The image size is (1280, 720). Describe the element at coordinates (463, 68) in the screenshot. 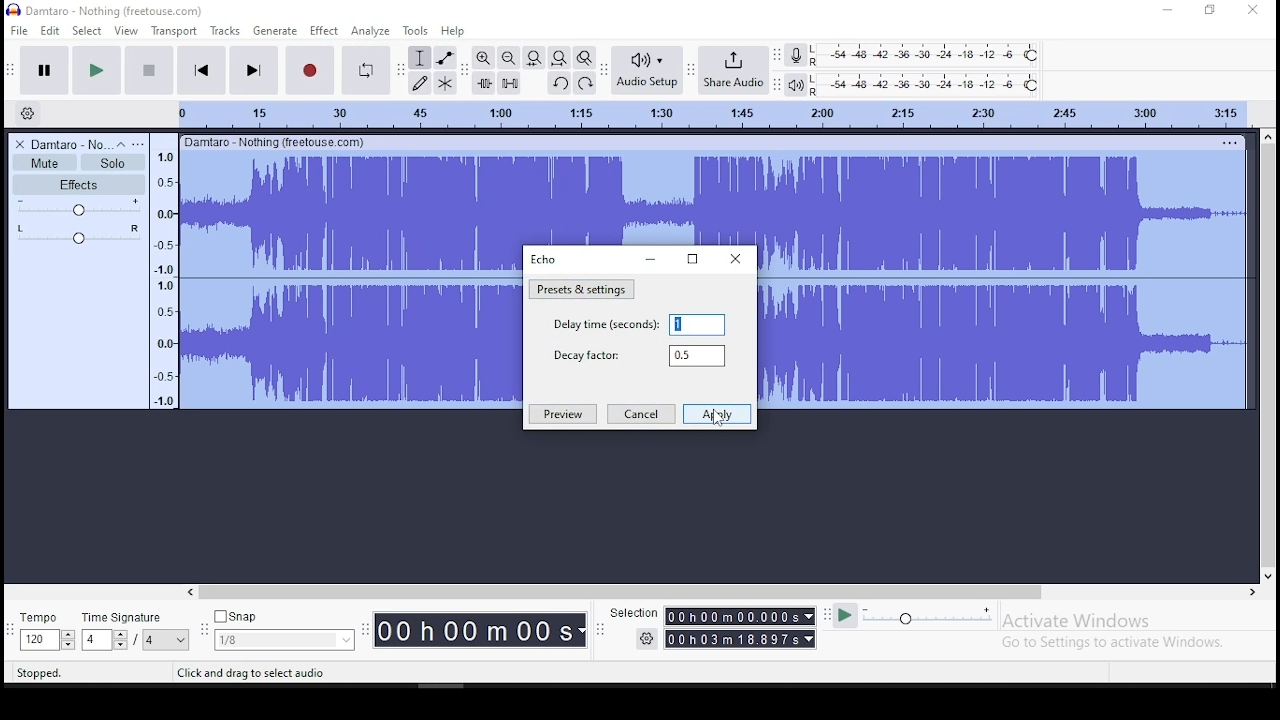

I see `` at that location.